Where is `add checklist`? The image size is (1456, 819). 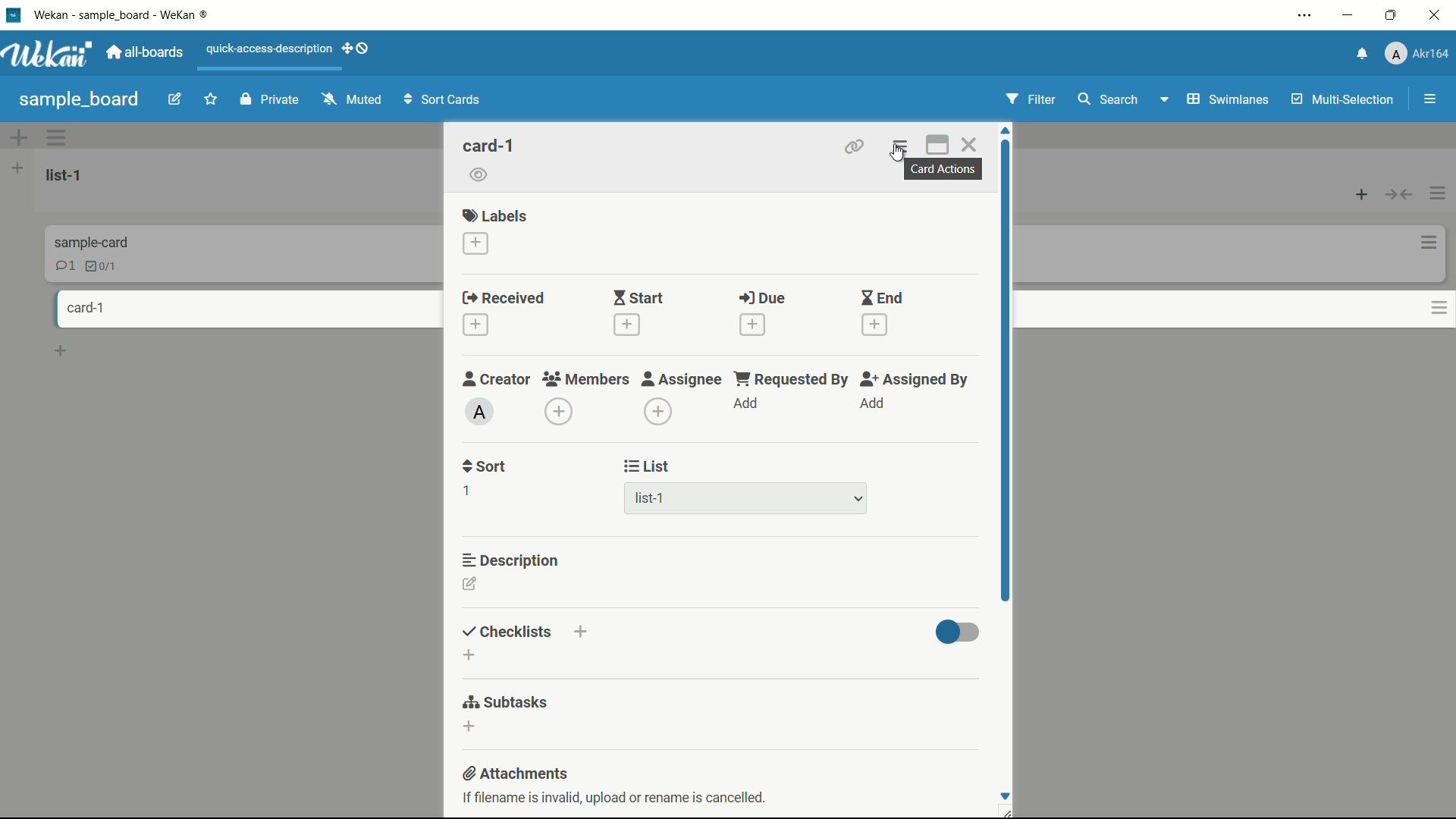 add checklist is located at coordinates (469, 655).